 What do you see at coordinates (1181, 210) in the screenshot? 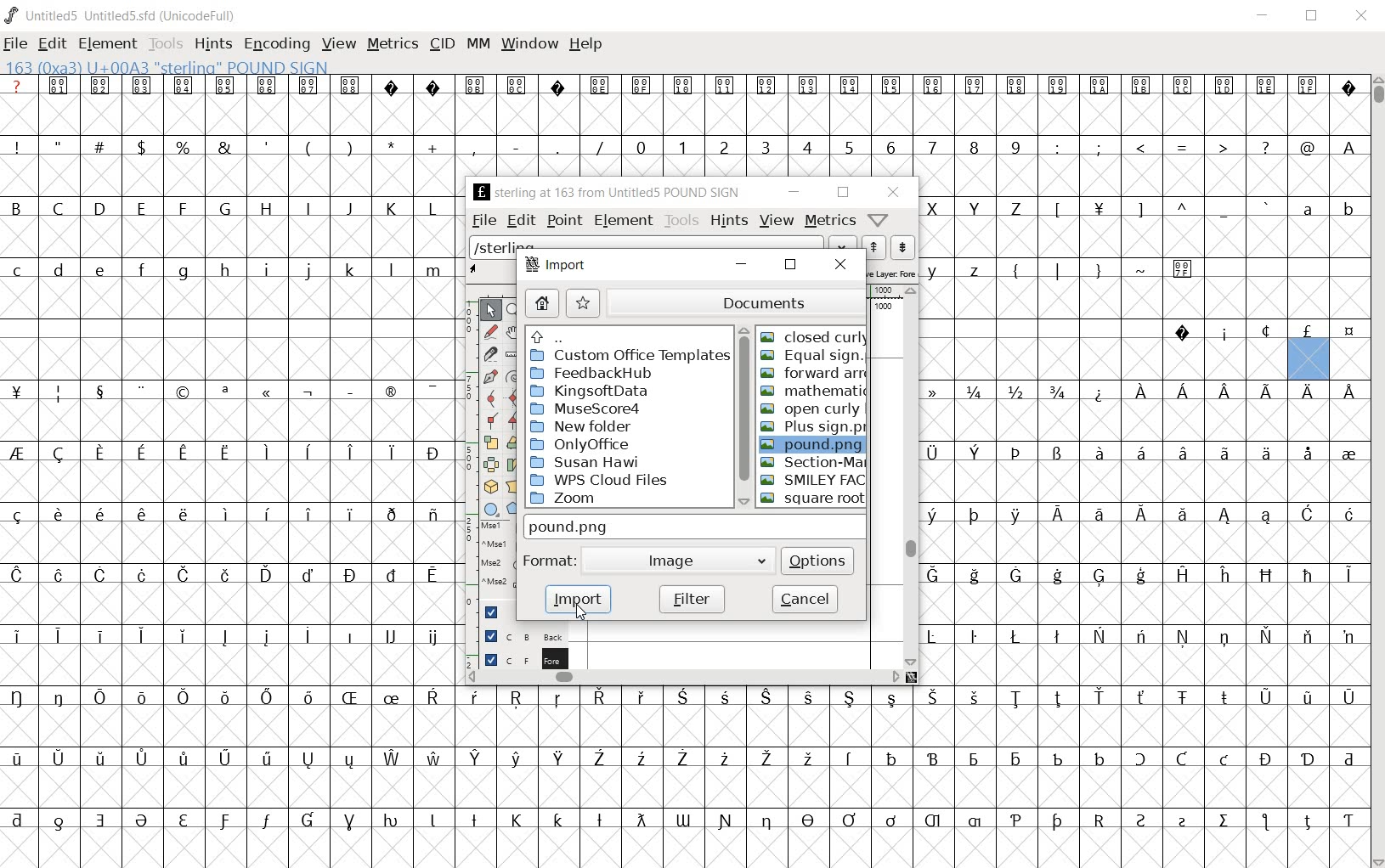
I see `^` at bounding box center [1181, 210].